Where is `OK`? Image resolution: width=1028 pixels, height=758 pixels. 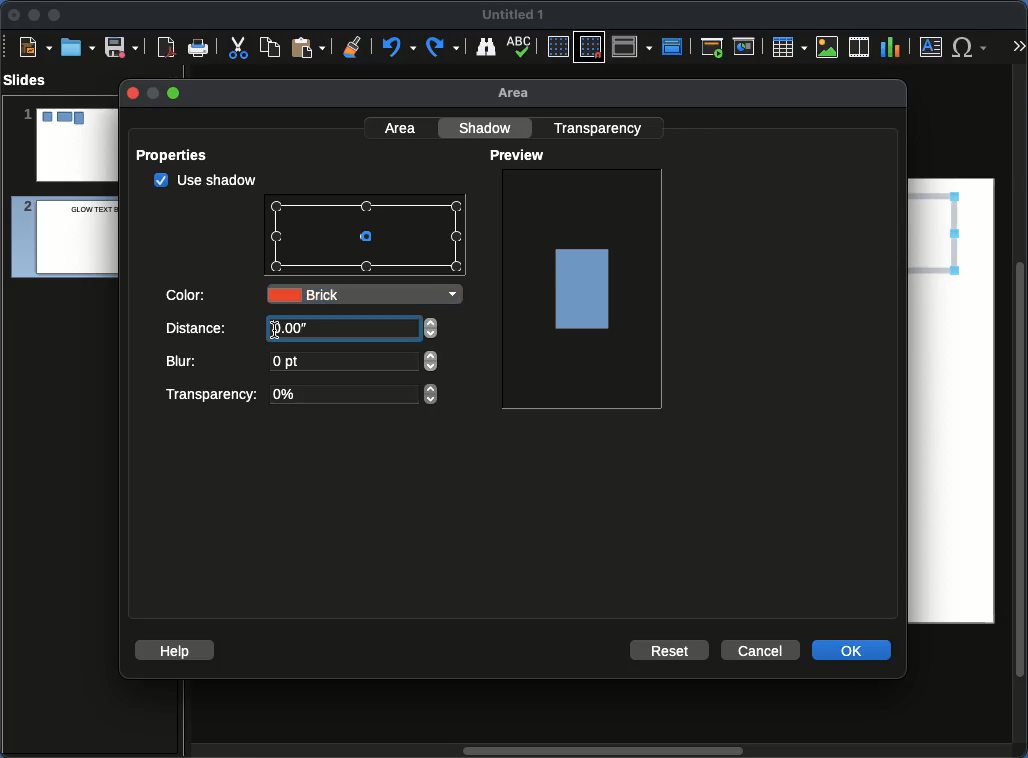 OK is located at coordinates (853, 649).